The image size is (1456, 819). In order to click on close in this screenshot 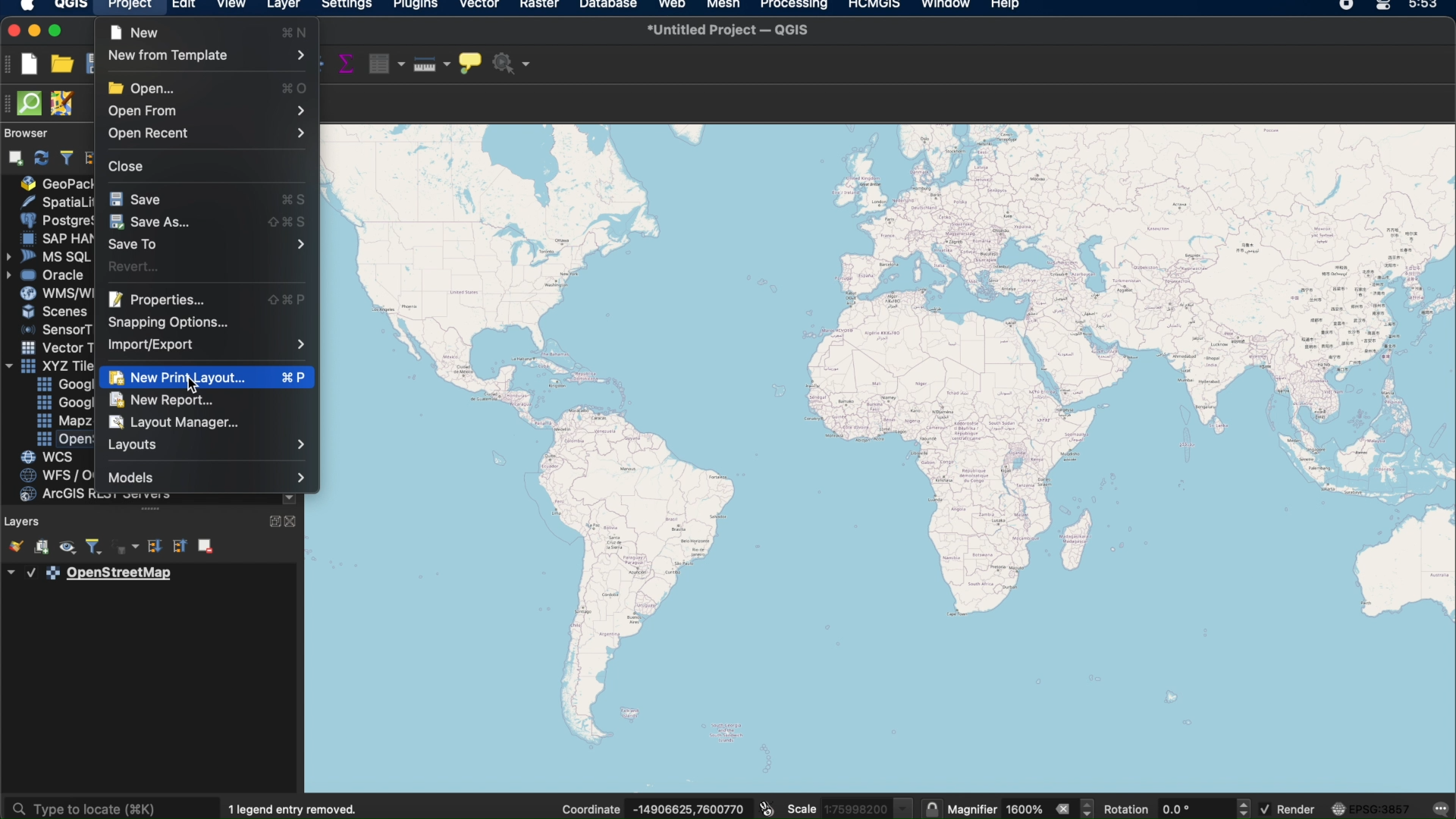, I will do `click(294, 522)`.